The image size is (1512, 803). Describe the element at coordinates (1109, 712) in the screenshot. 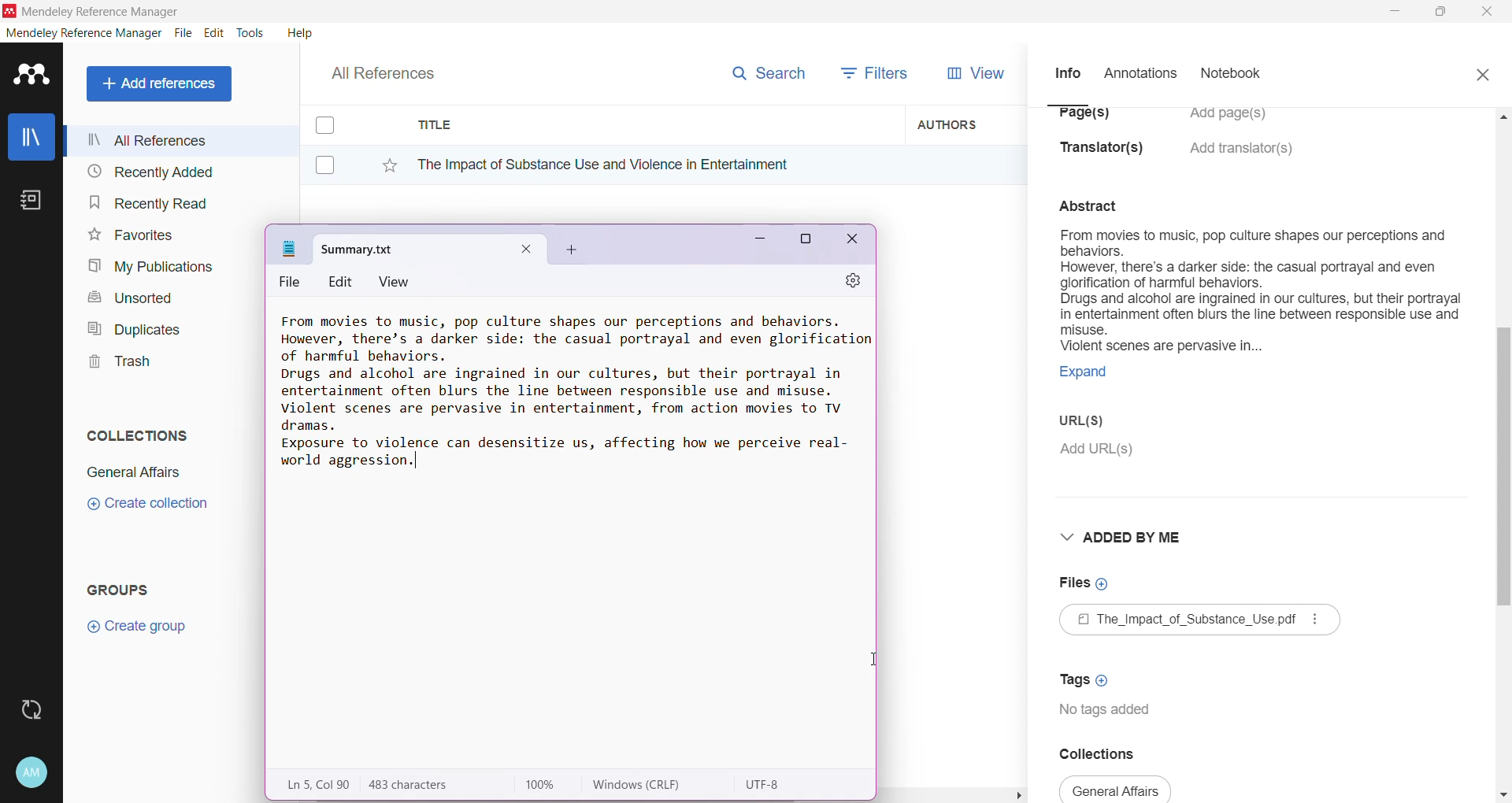

I see `Tags available for the document` at that location.